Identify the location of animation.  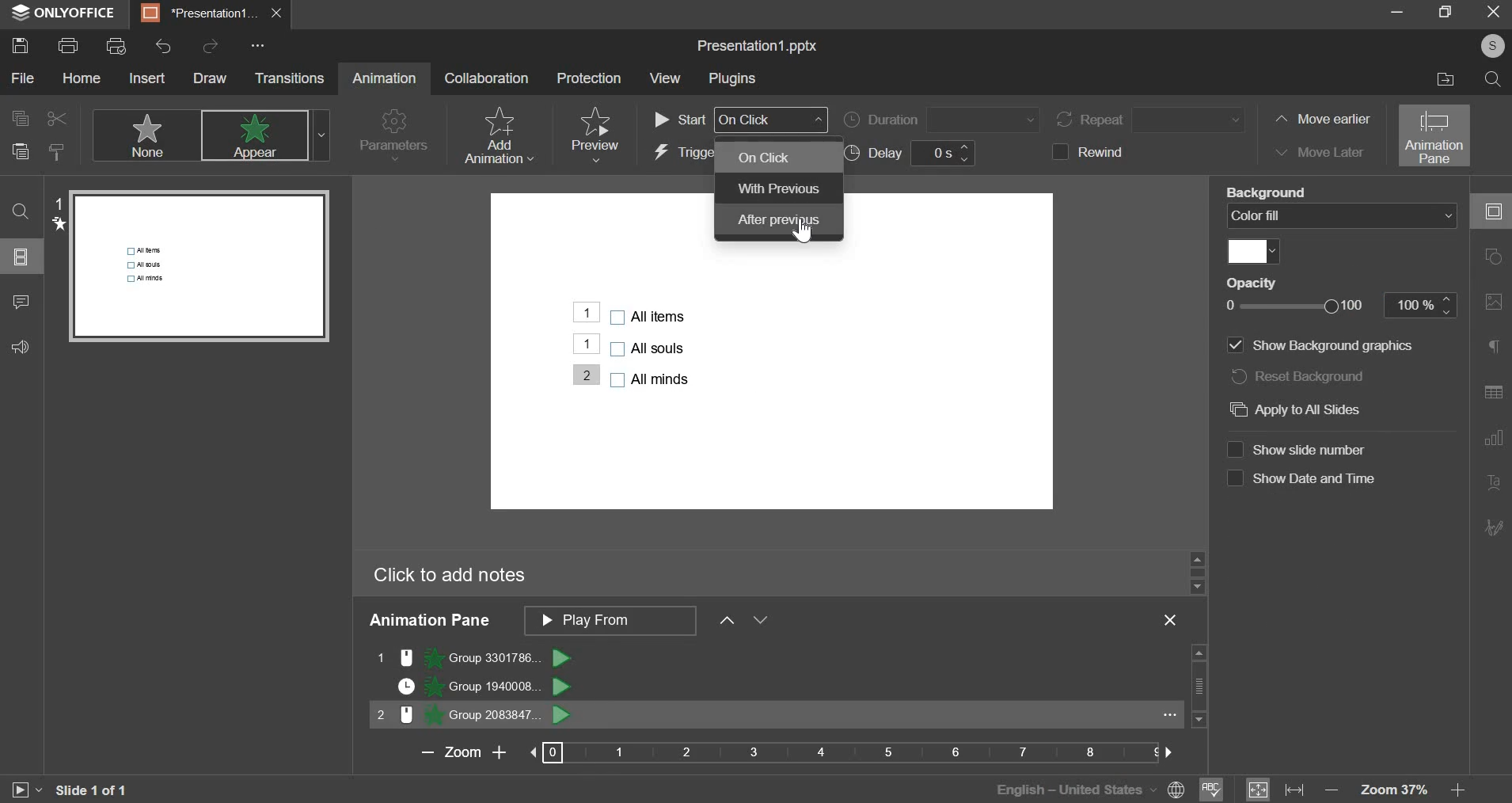
(384, 78).